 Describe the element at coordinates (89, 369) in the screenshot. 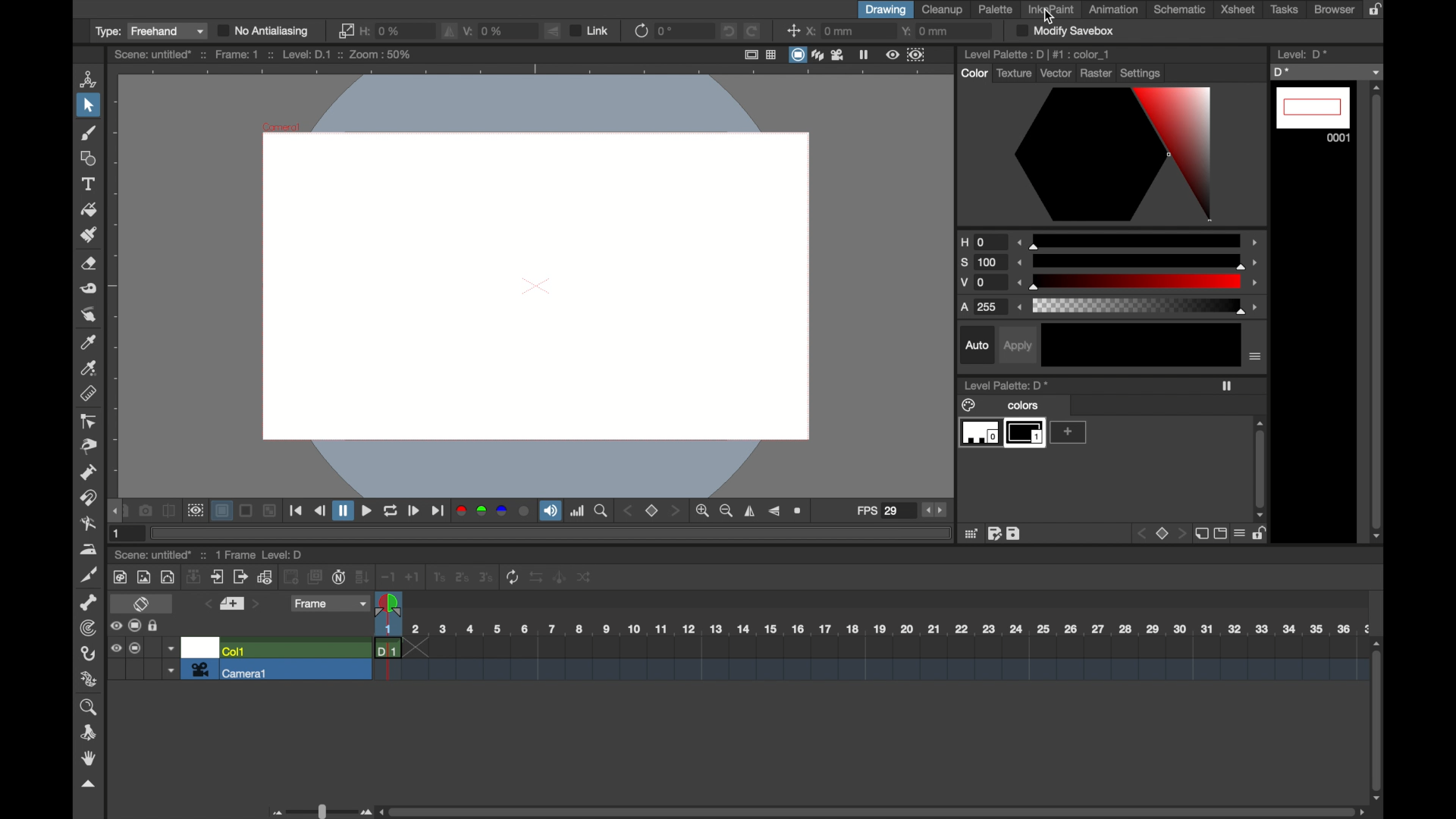

I see `rgb picker tool` at that location.